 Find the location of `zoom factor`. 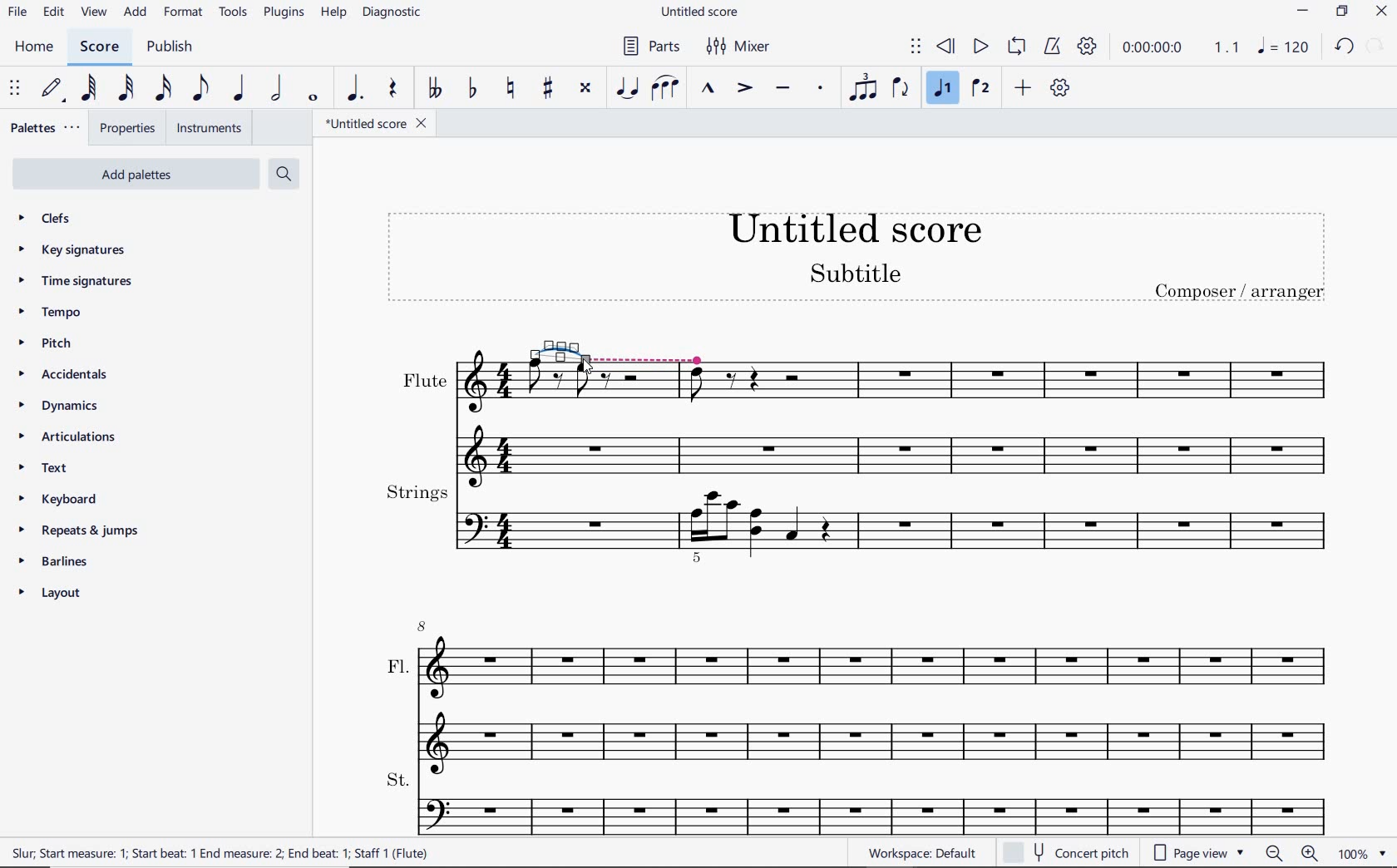

zoom factor is located at coordinates (1360, 853).